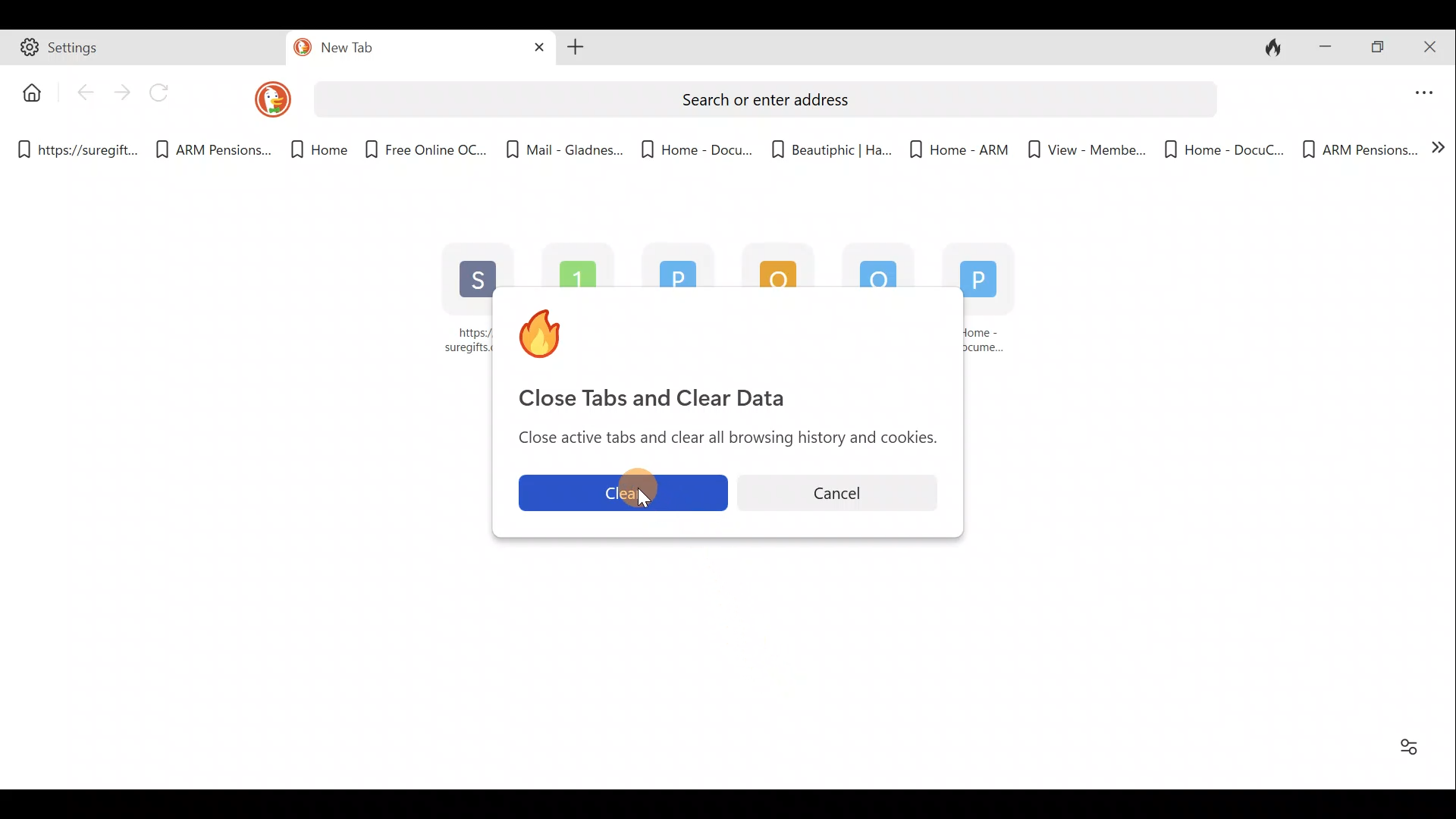 The image size is (1456, 819). Describe the element at coordinates (576, 49) in the screenshot. I see `Add tab` at that location.